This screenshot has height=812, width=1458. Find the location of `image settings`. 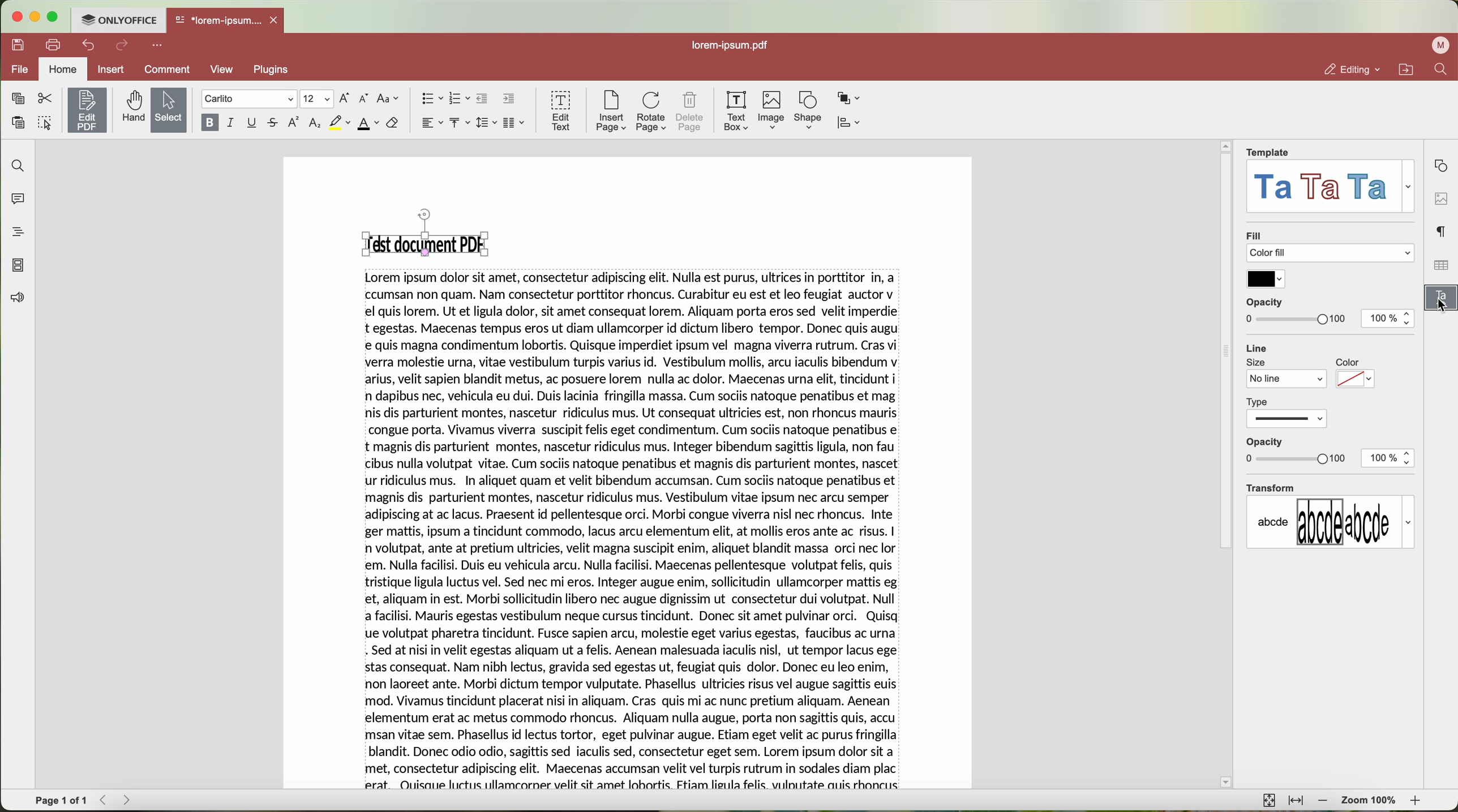

image settings is located at coordinates (1440, 198).